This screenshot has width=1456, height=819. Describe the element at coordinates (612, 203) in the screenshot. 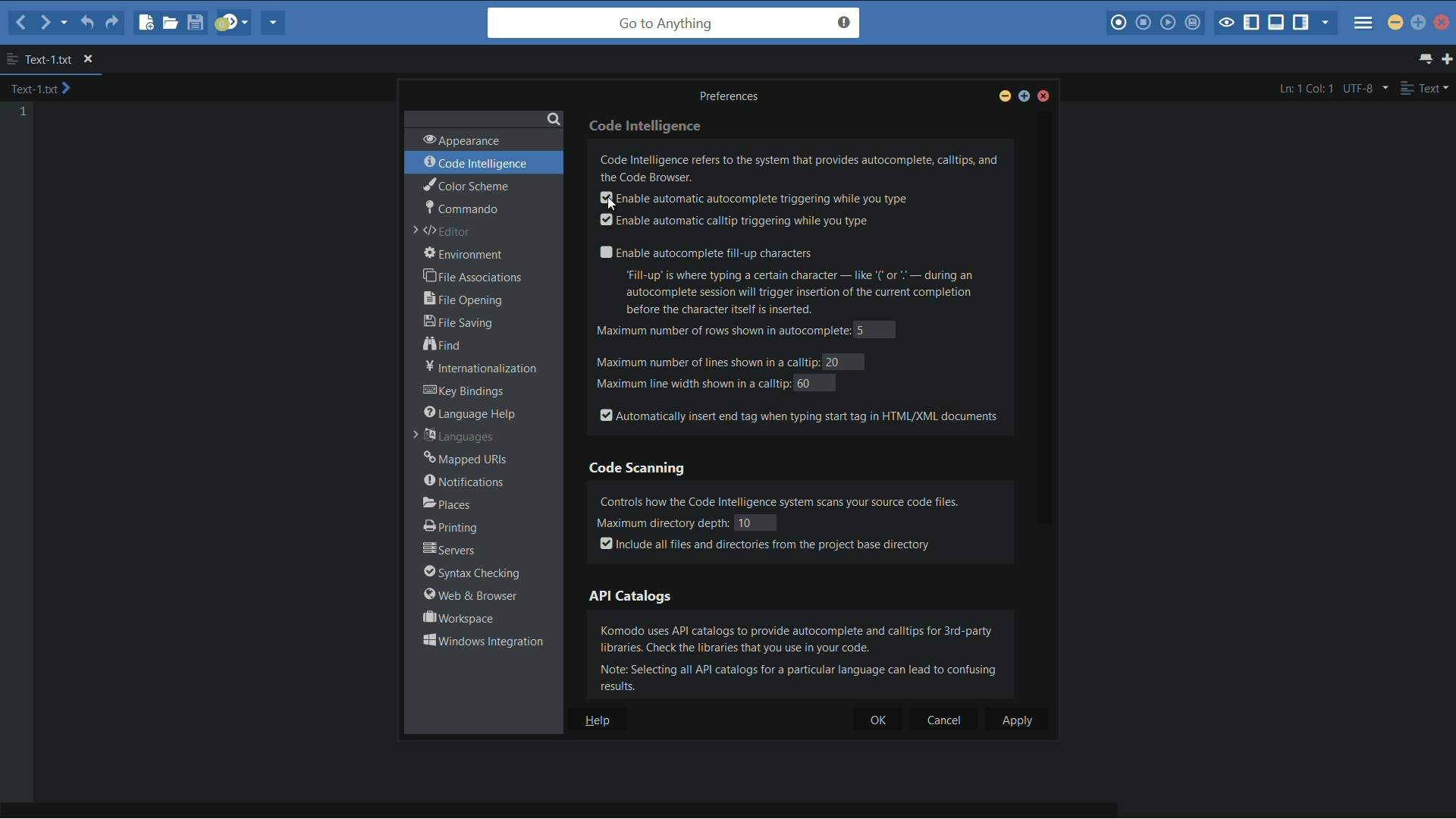

I see `cursor` at that location.